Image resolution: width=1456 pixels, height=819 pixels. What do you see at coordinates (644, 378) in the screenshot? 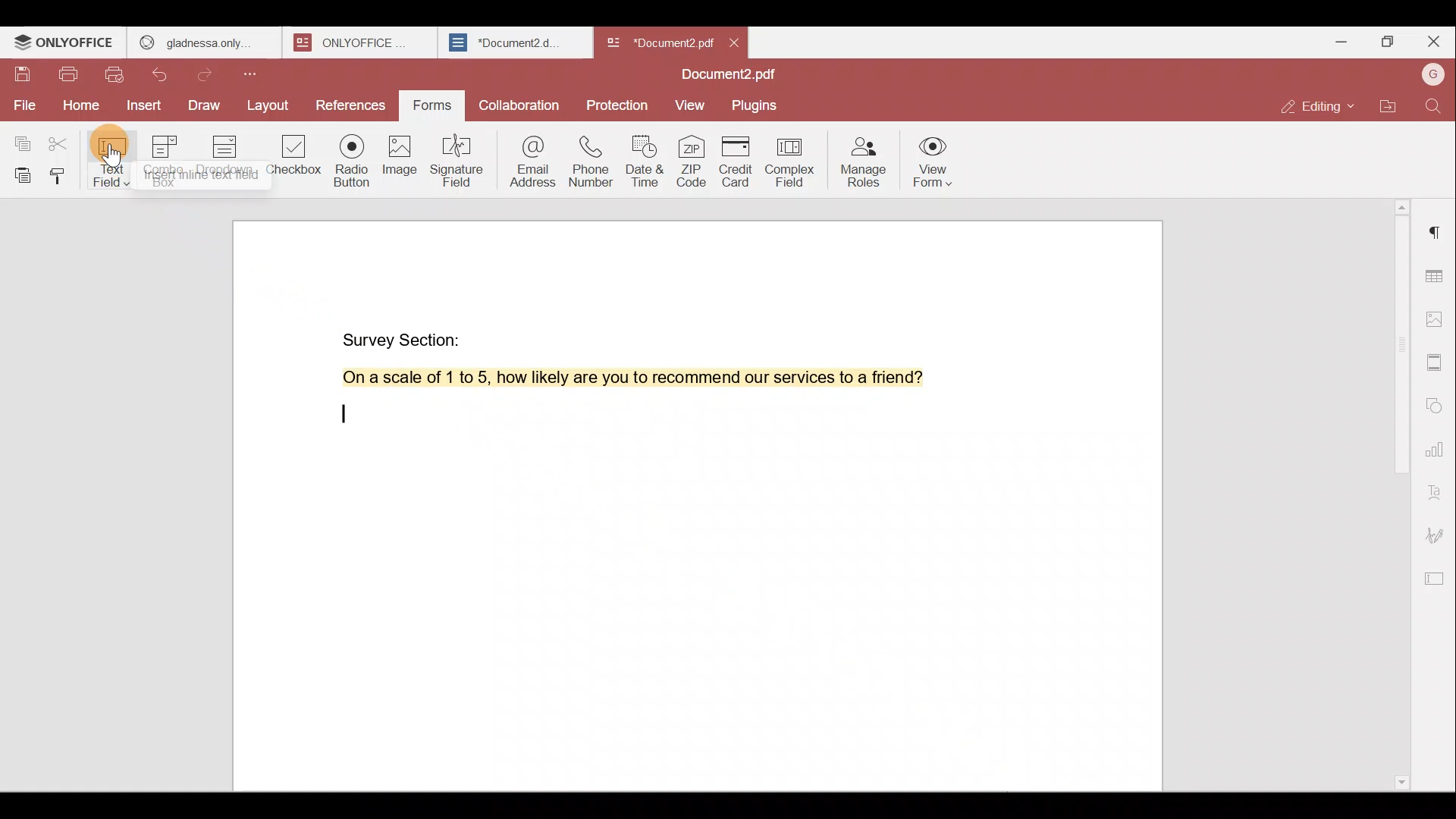
I see `On a scale of 1 to 5, how likely are you to recommend our services to a friend?` at bounding box center [644, 378].